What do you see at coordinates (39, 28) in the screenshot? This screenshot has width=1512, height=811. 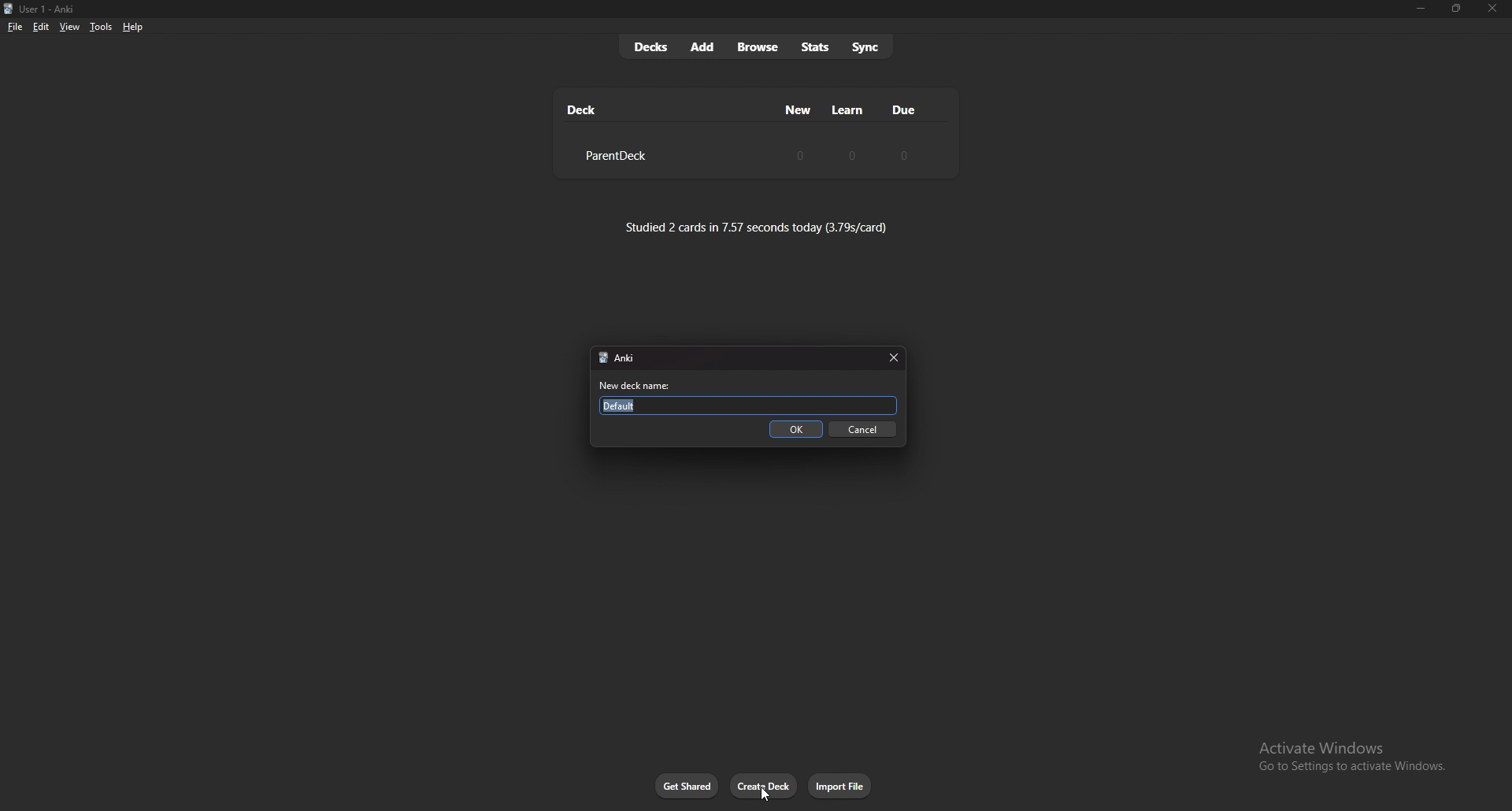 I see `edit` at bounding box center [39, 28].